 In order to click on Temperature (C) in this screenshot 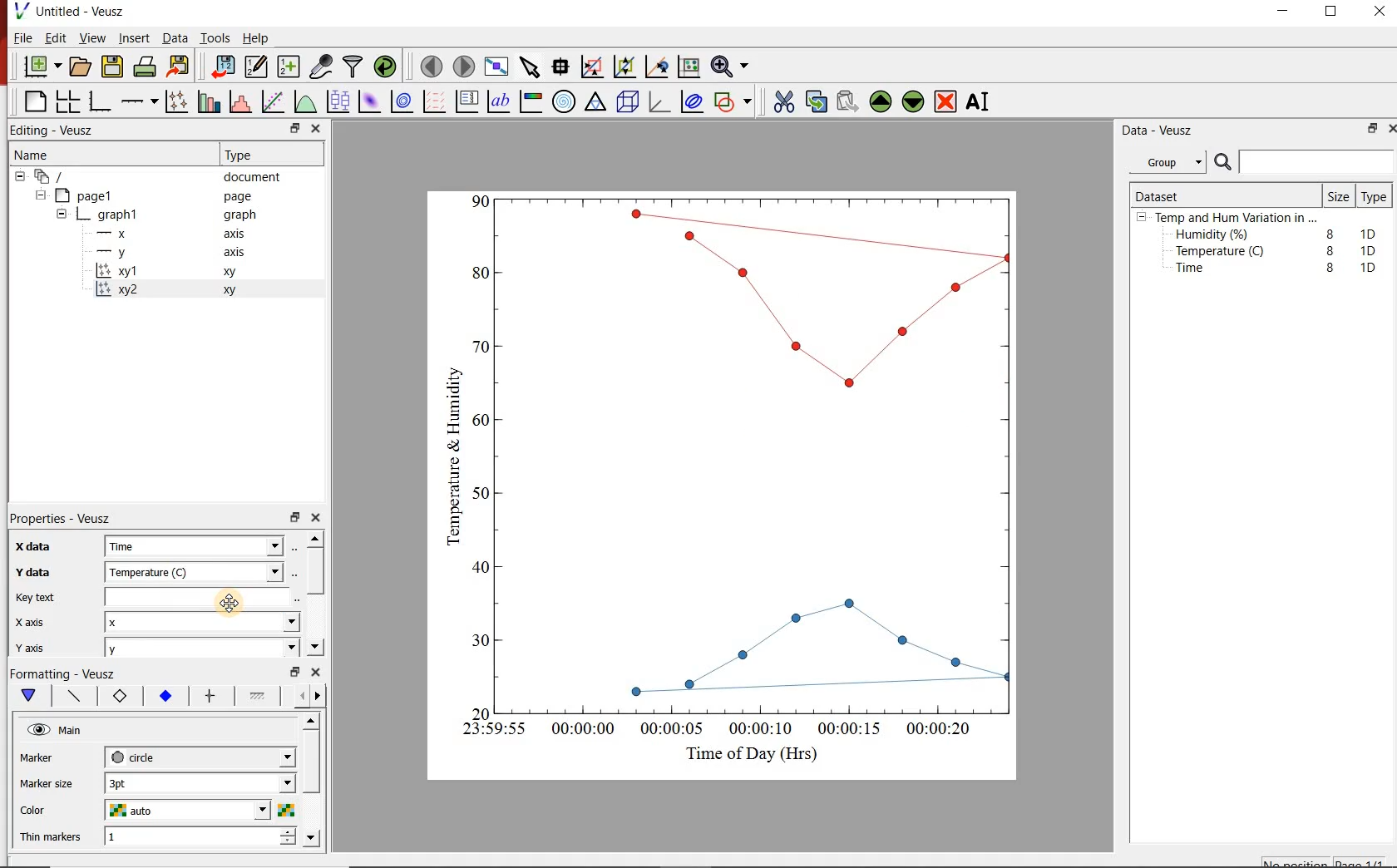, I will do `click(151, 572)`.